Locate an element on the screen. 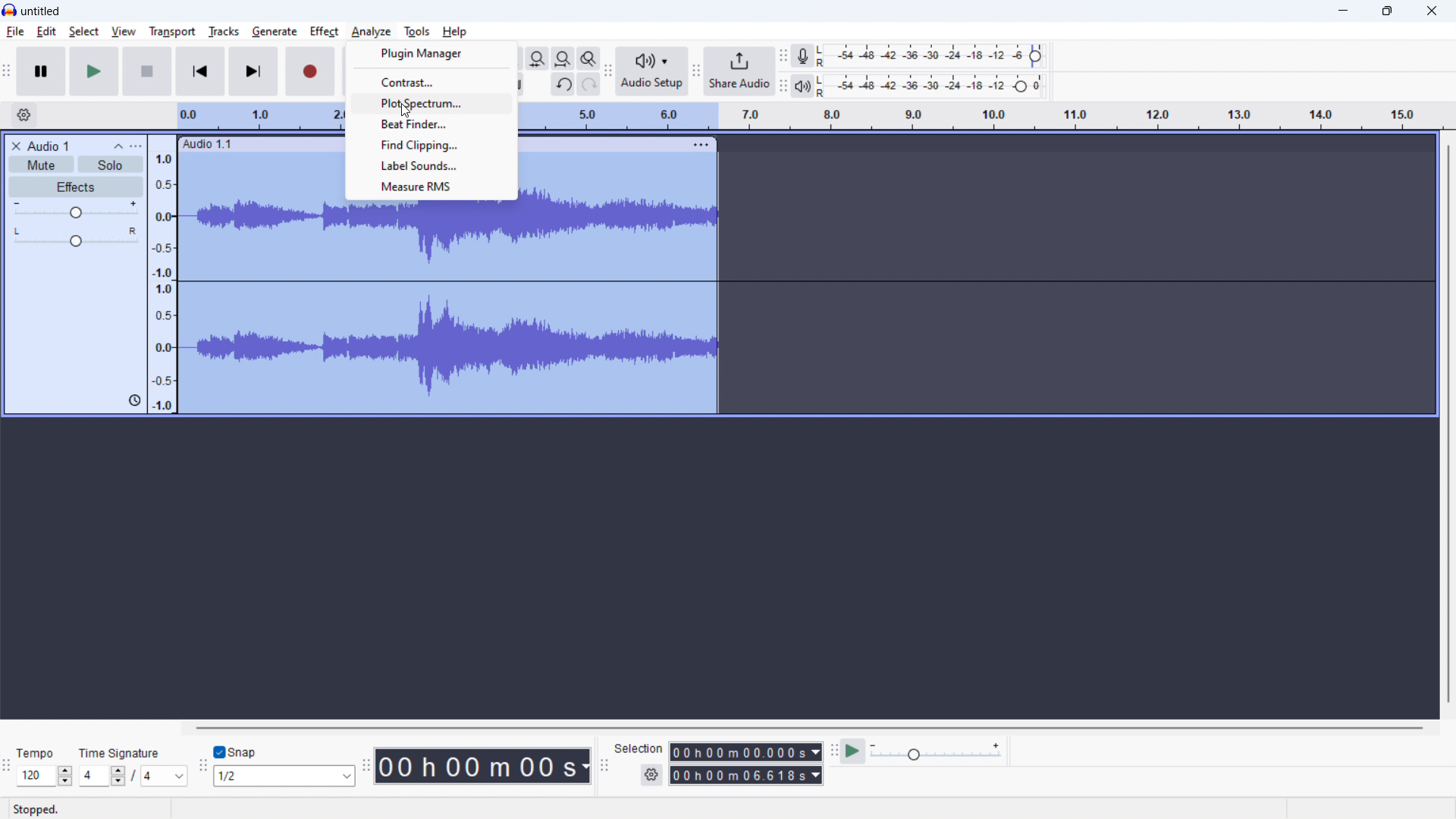 The width and height of the screenshot is (1456, 819). redo is located at coordinates (589, 84).